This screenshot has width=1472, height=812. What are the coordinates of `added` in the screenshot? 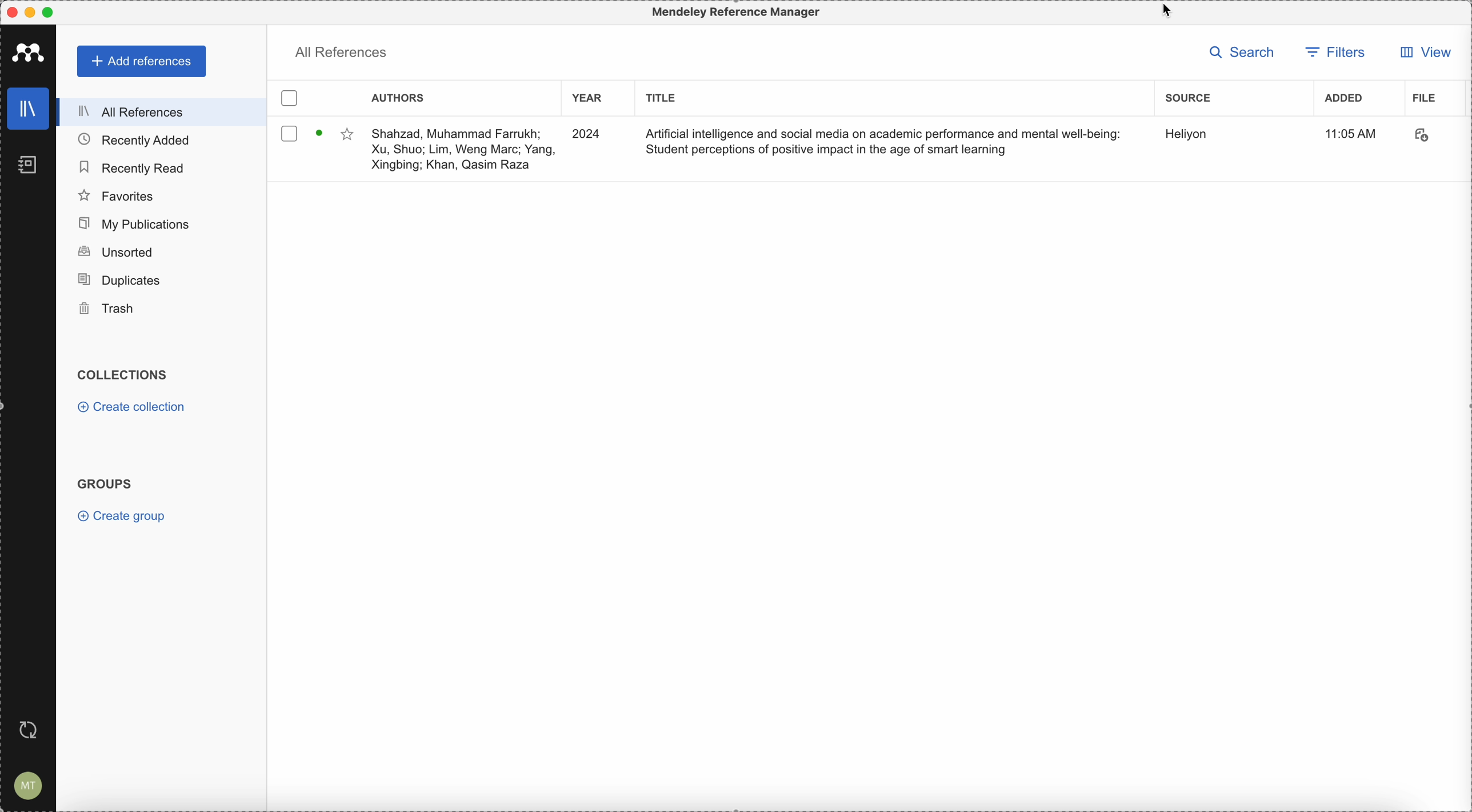 It's located at (1346, 101).